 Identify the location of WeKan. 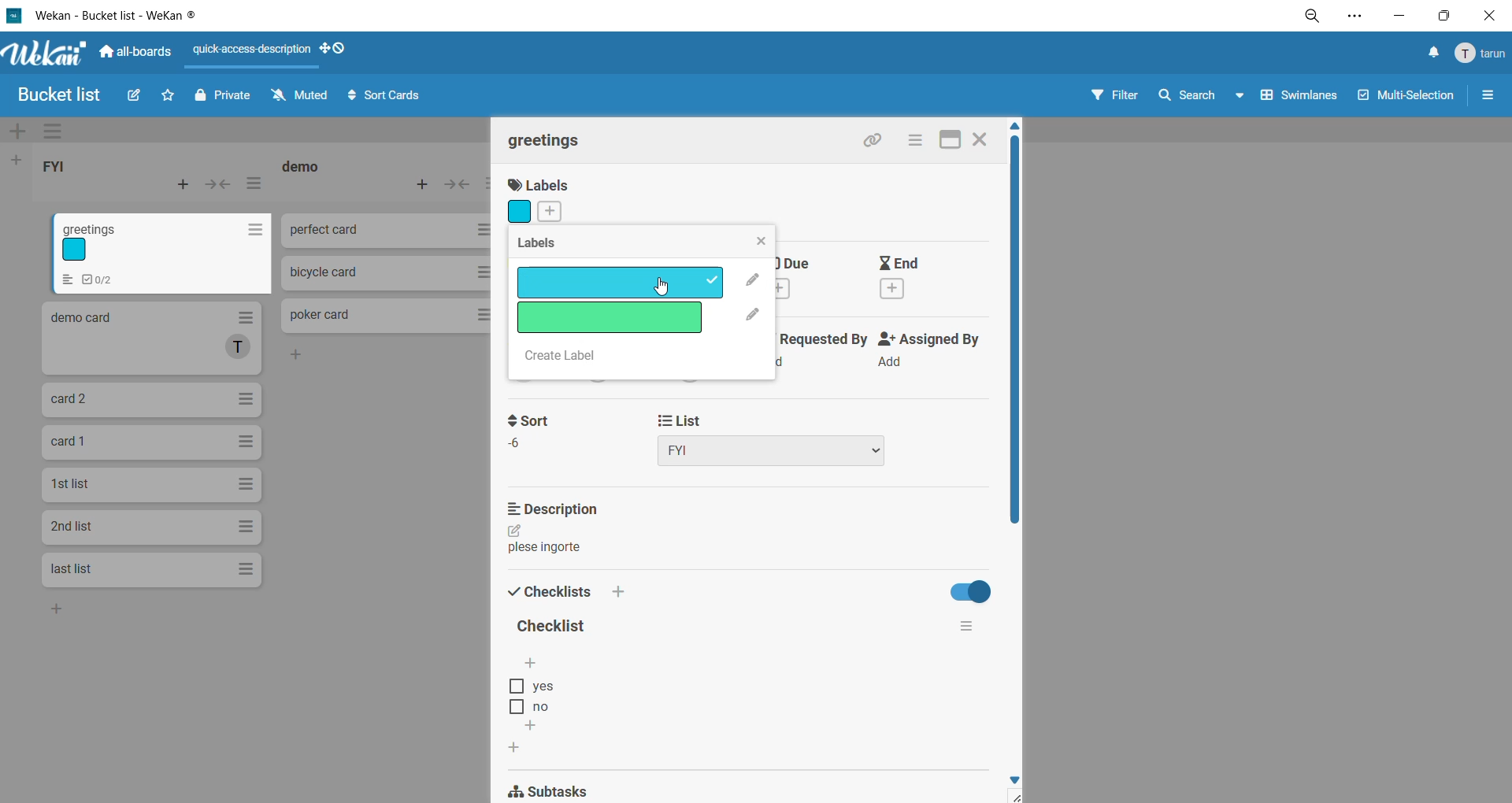
(44, 52).